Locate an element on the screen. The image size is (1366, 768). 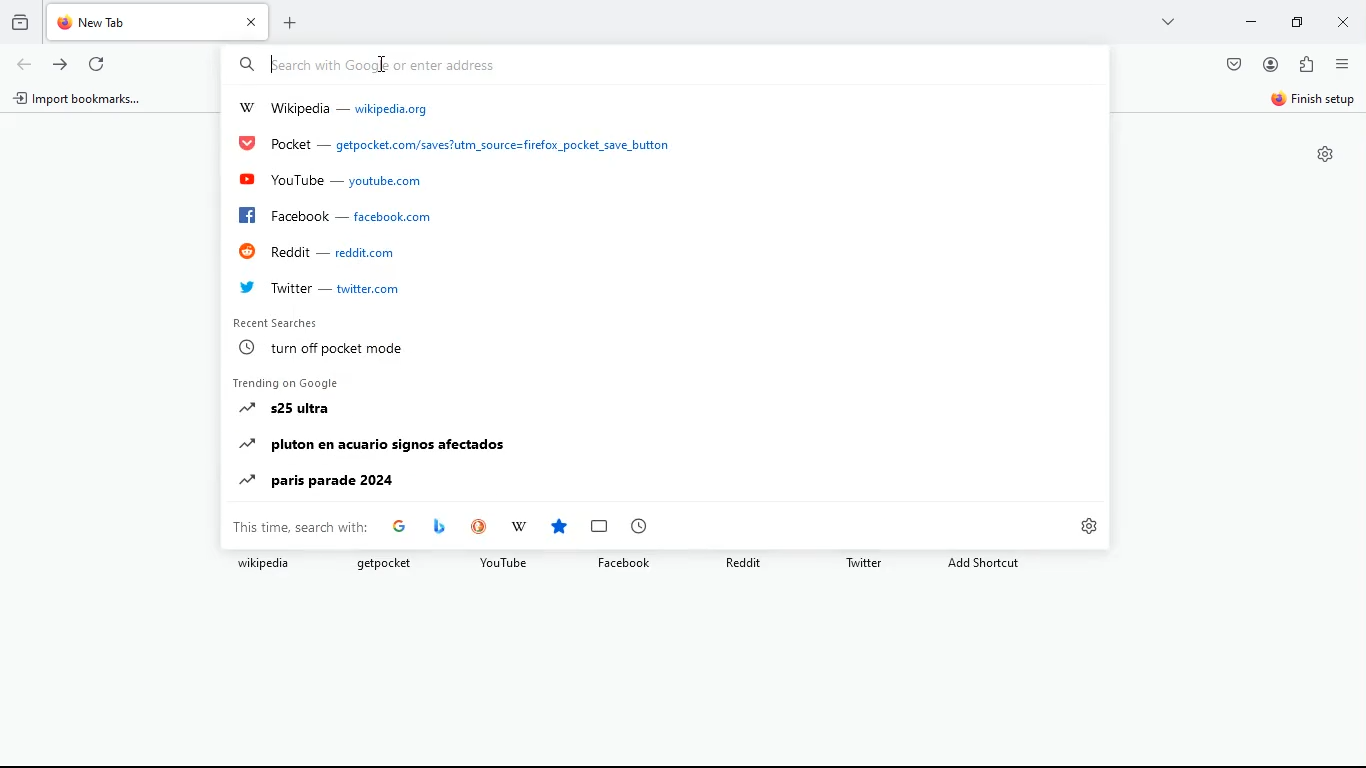
finish setup is located at coordinates (1314, 102).